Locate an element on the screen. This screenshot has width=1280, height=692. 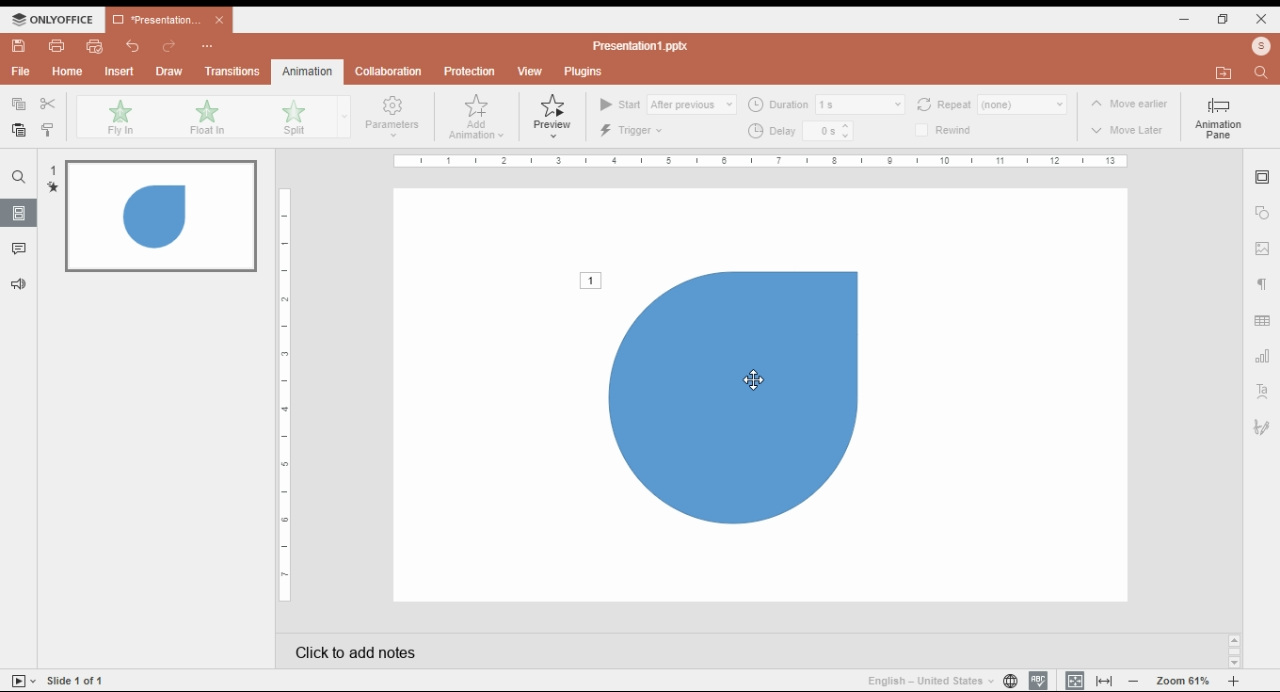
open file location is located at coordinates (1261, 47).